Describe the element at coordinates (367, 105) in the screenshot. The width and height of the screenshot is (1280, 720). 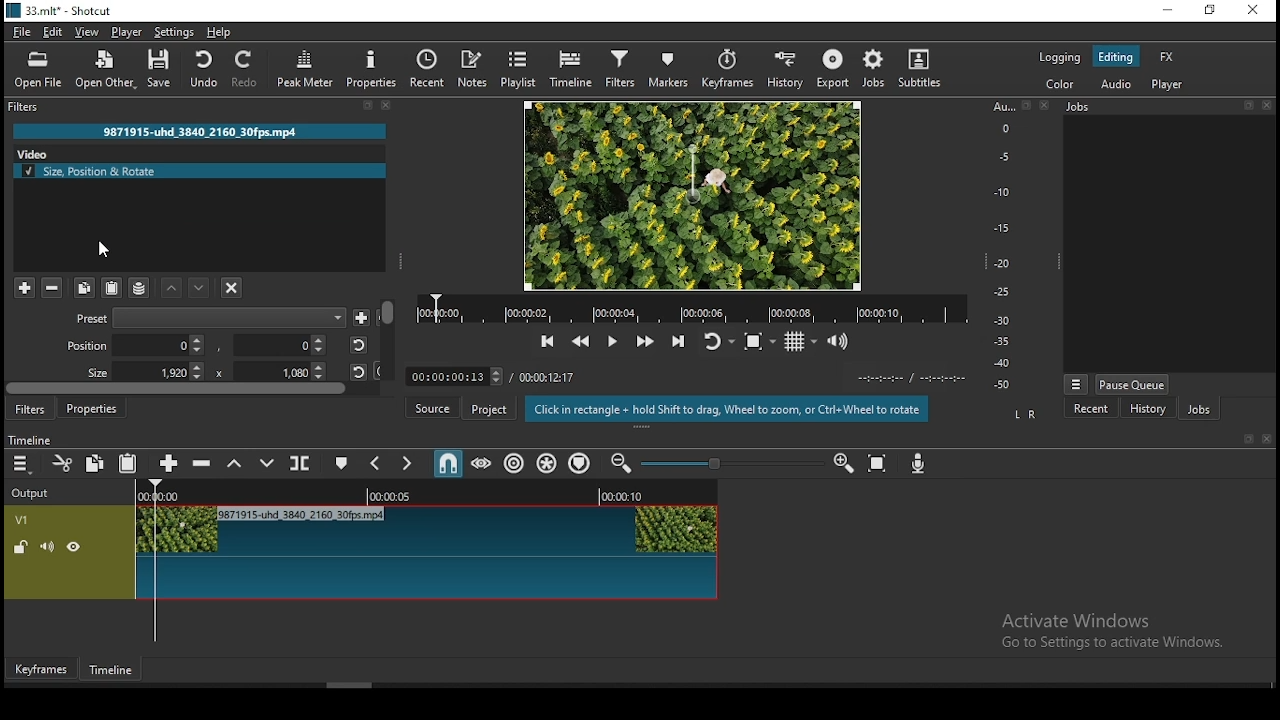
I see `resize` at that location.